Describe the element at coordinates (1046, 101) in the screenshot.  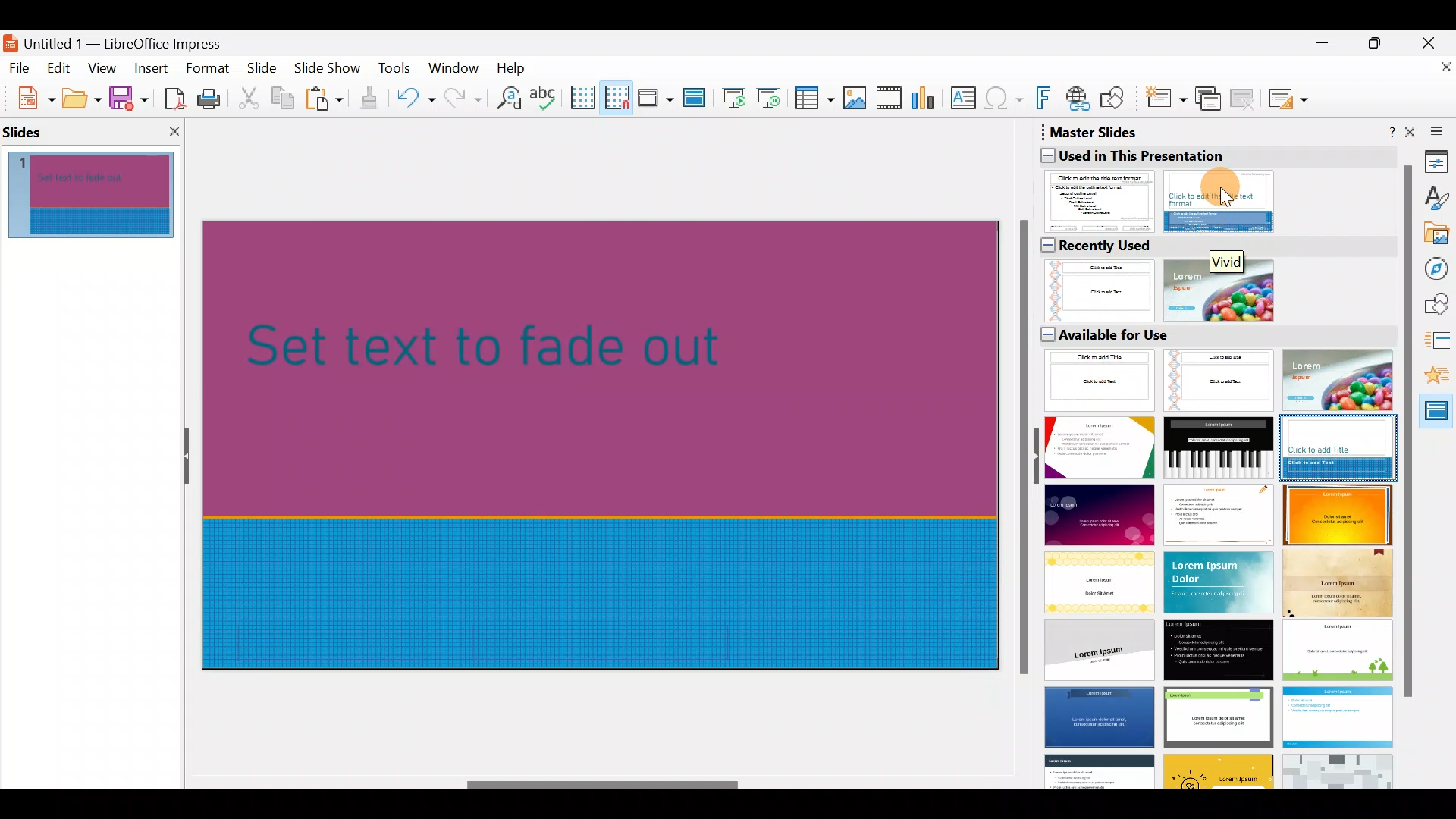
I see `Insert fontwork text` at that location.